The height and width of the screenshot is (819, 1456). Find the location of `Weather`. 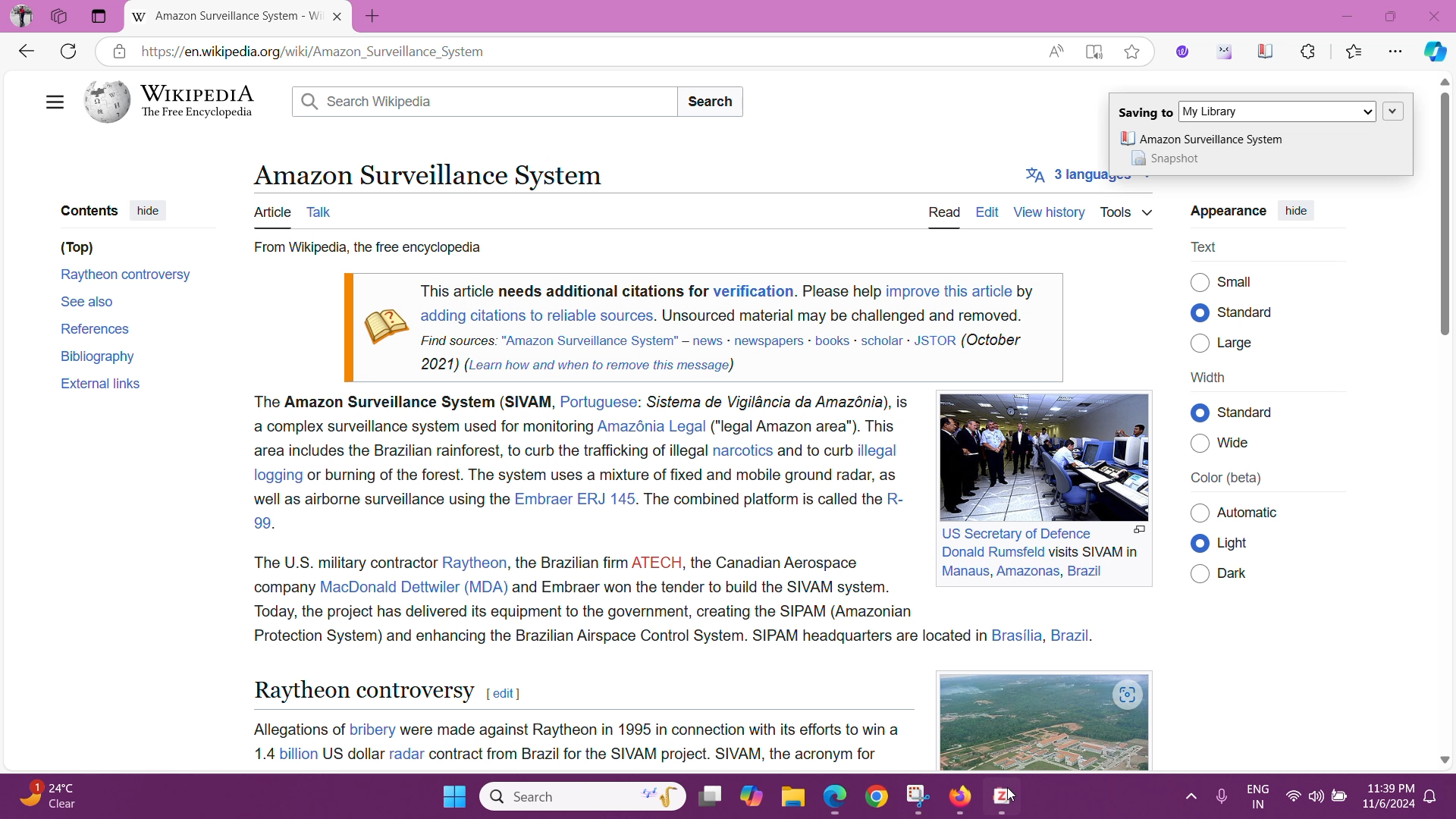

Weather is located at coordinates (53, 796).